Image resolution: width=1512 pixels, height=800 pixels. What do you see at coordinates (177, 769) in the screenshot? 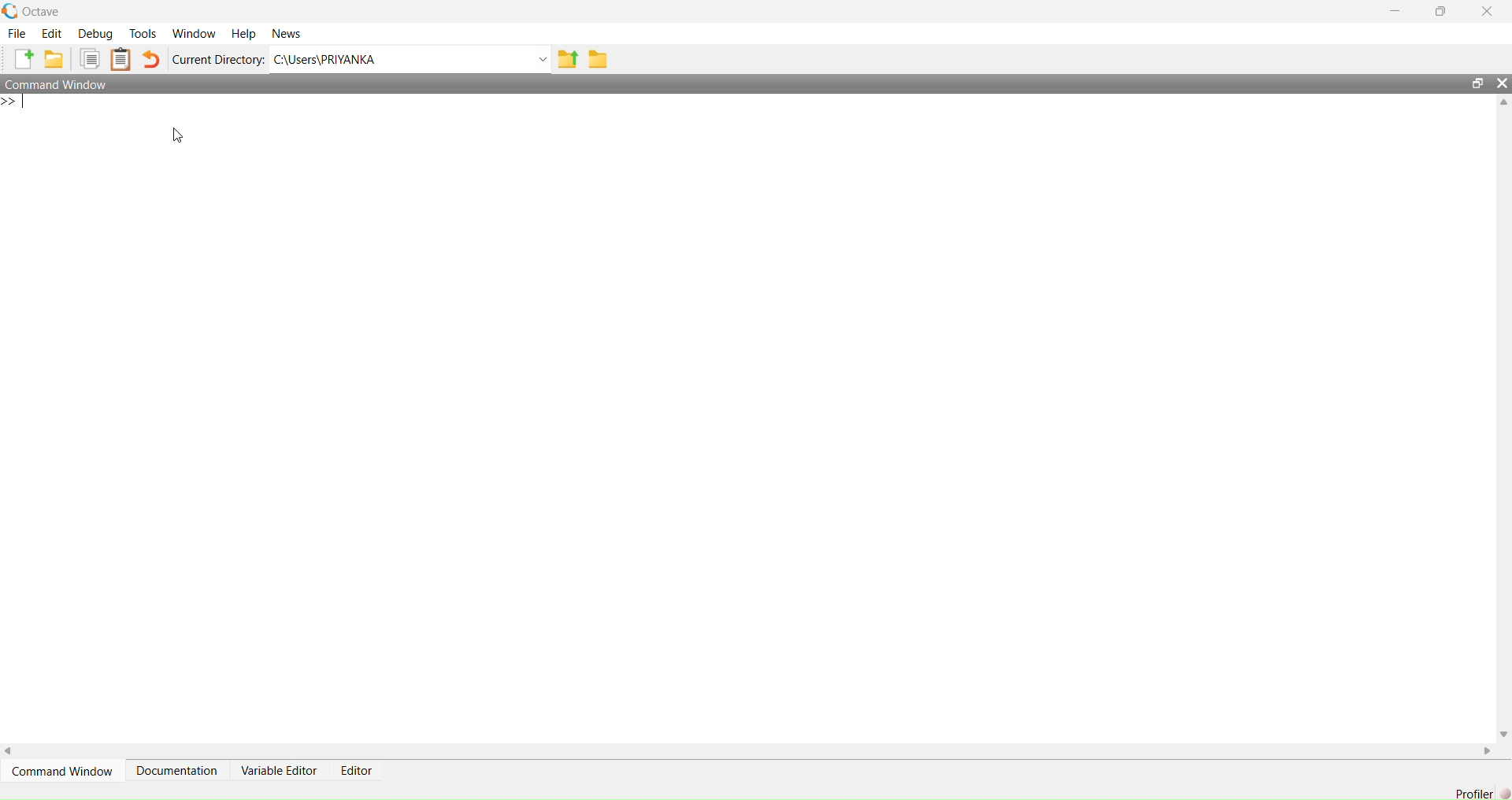
I see `Documentation` at bounding box center [177, 769].